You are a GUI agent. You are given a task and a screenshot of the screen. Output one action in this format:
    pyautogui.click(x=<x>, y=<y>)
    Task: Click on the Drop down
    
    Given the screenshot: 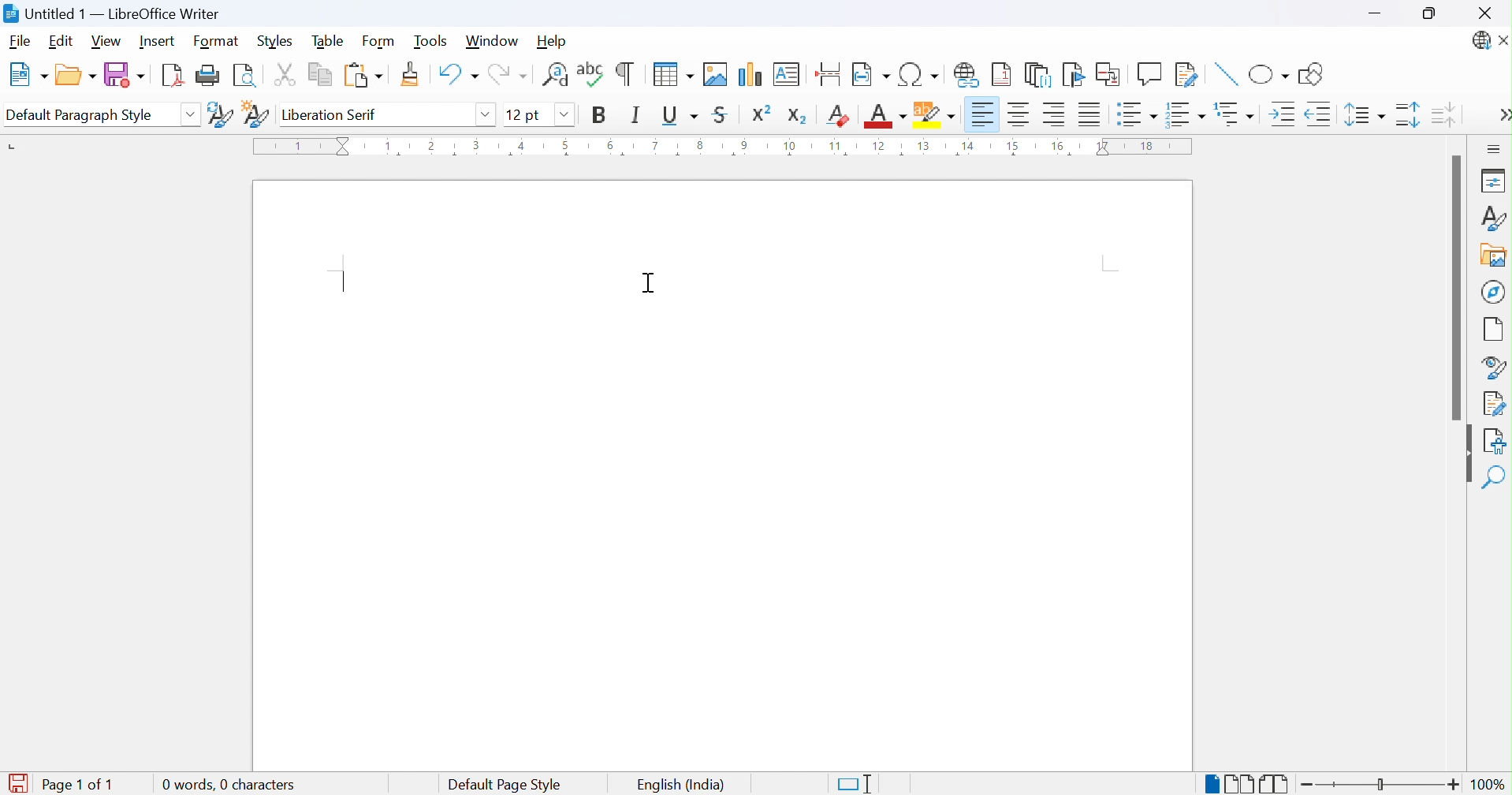 What is the action you would take?
    pyautogui.click(x=191, y=117)
    